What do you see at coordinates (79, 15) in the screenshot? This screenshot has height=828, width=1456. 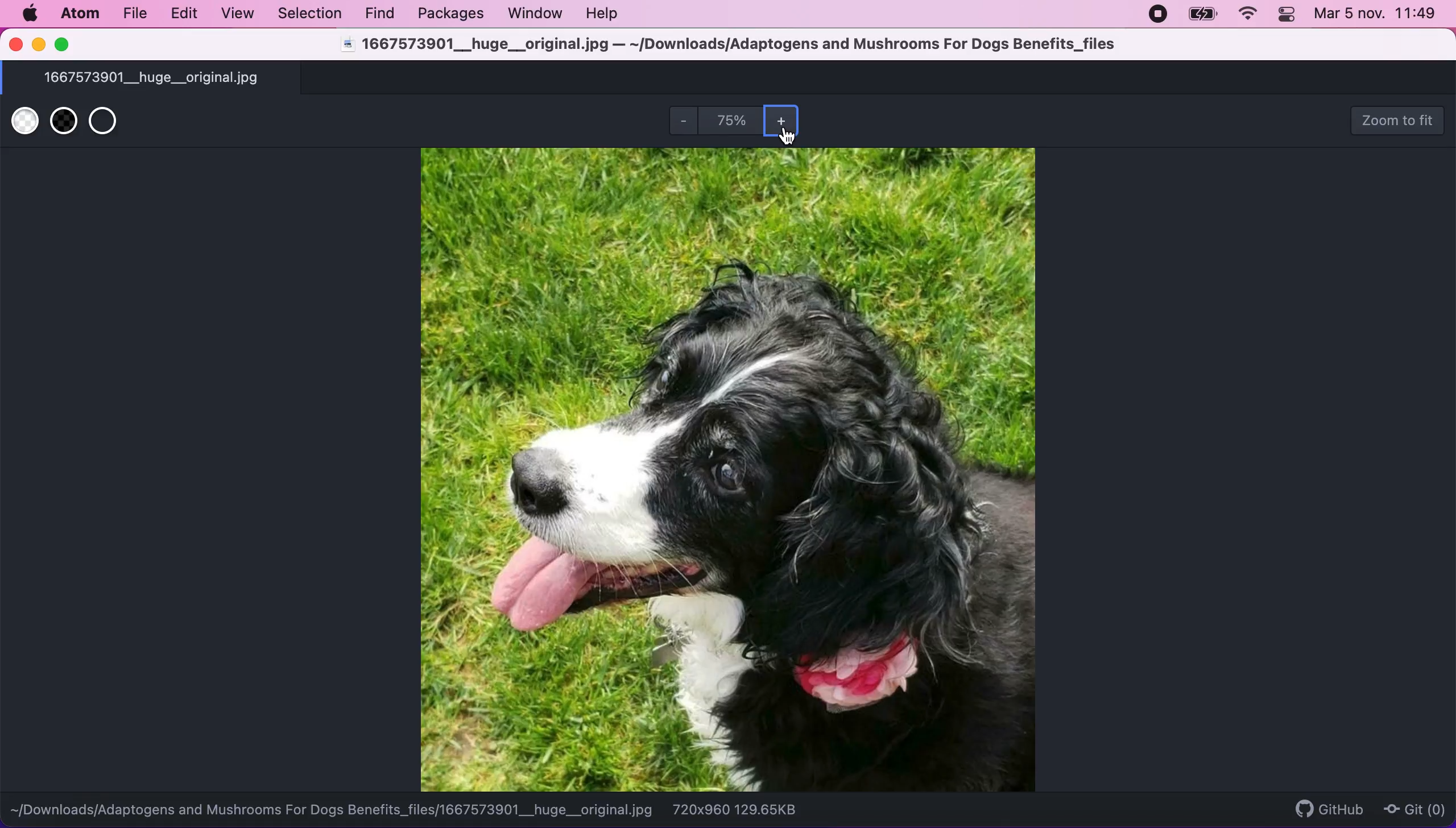 I see `atom` at bounding box center [79, 15].